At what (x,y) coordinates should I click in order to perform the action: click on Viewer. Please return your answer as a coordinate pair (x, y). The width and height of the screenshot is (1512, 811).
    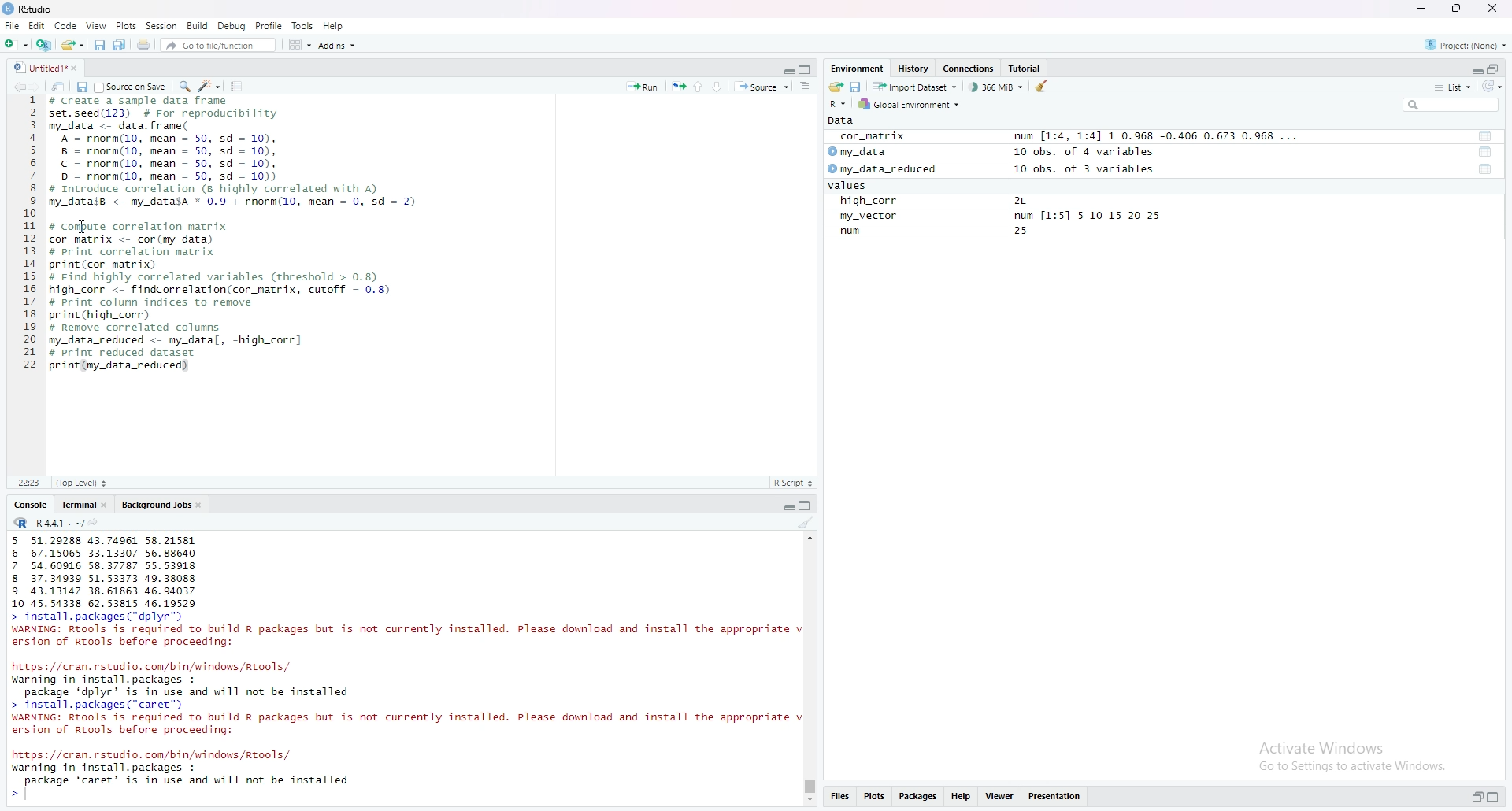
    Looking at the image, I should click on (1001, 795).